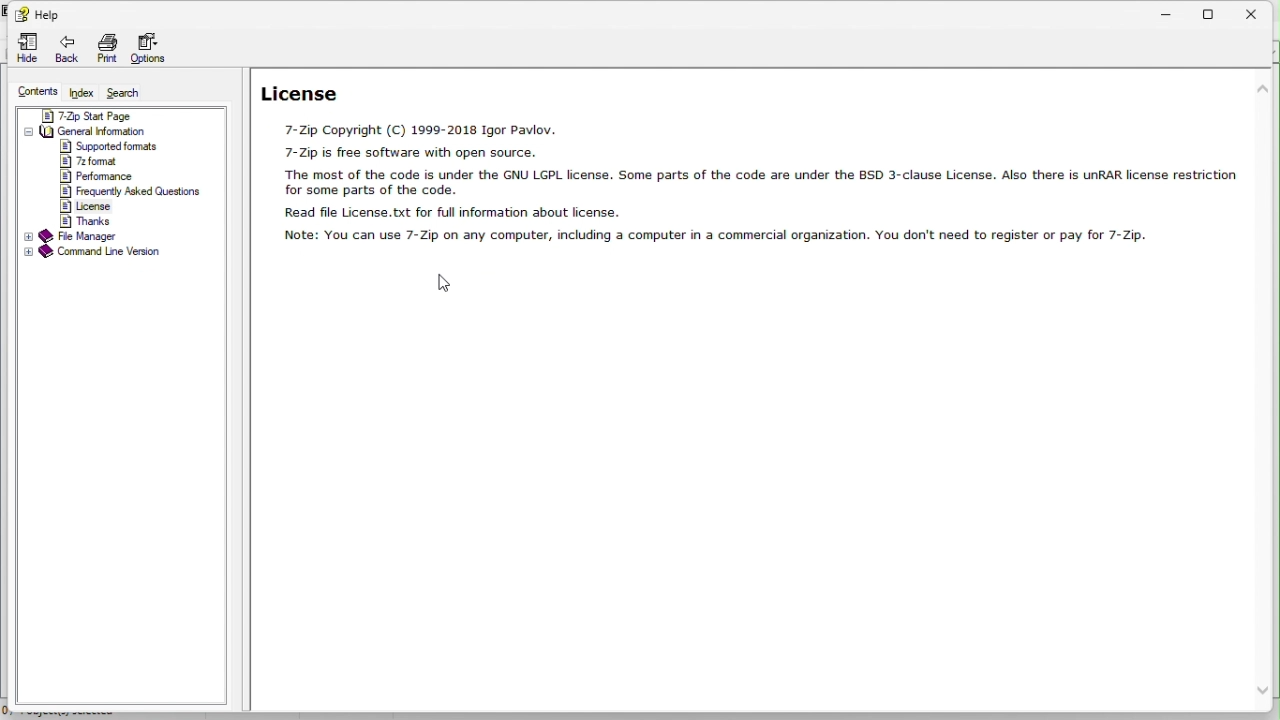  I want to click on General information, so click(87, 131).